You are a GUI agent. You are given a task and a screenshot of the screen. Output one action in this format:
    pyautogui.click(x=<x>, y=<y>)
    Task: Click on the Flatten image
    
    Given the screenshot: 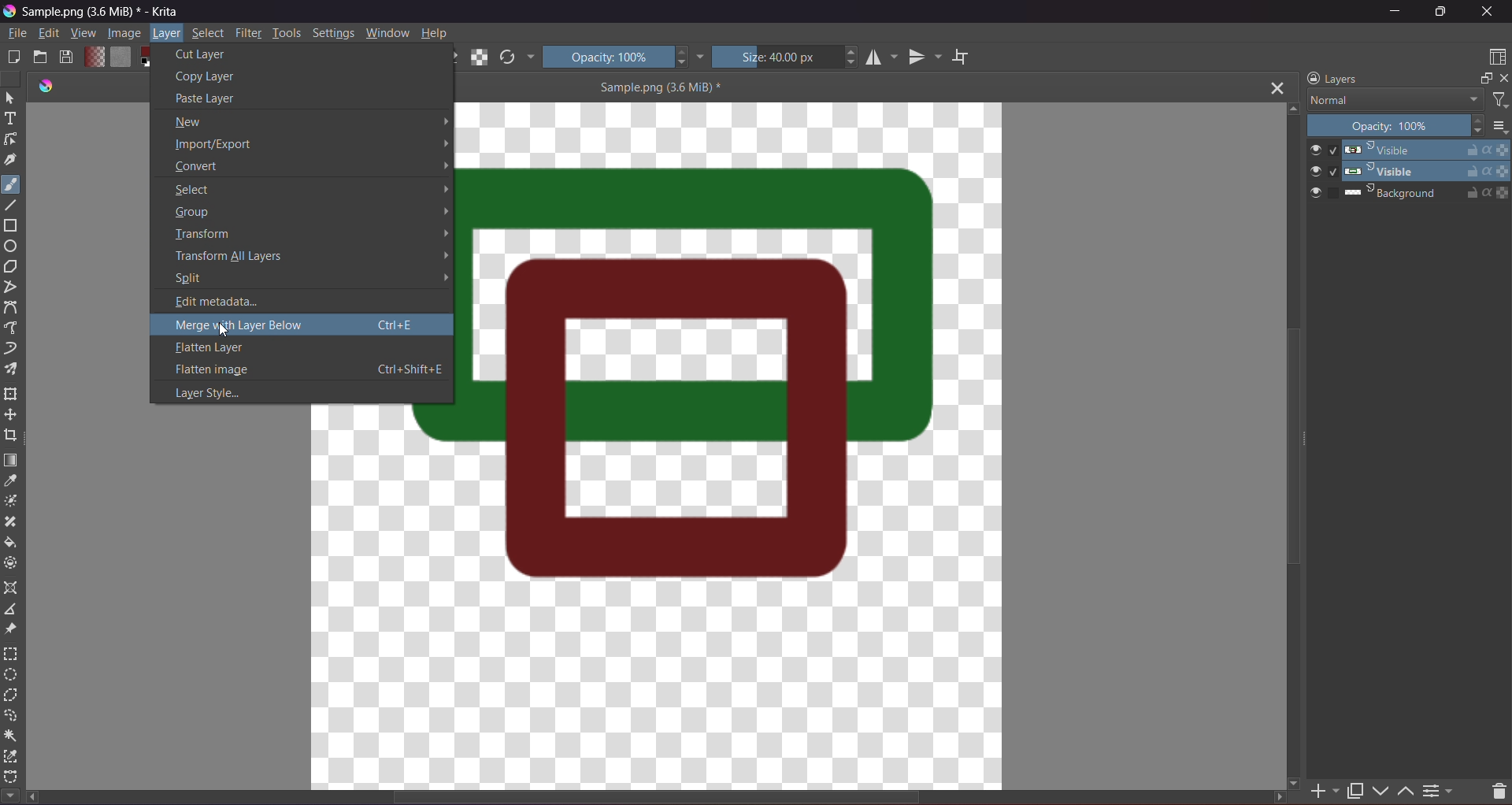 What is the action you would take?
    pyautogui.click(x=302, y=370)
    